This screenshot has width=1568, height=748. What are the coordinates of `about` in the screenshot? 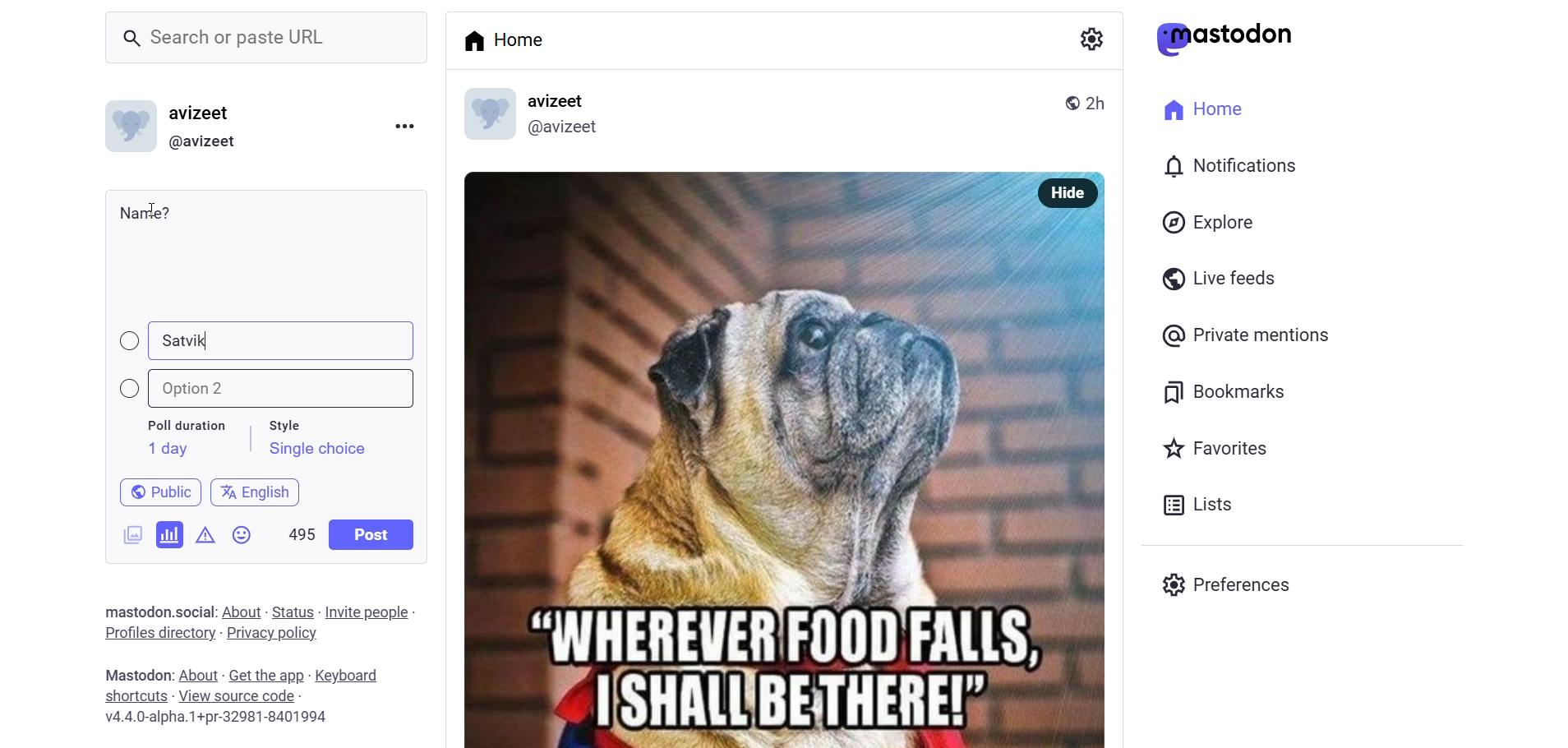 It's located at (196, 676).